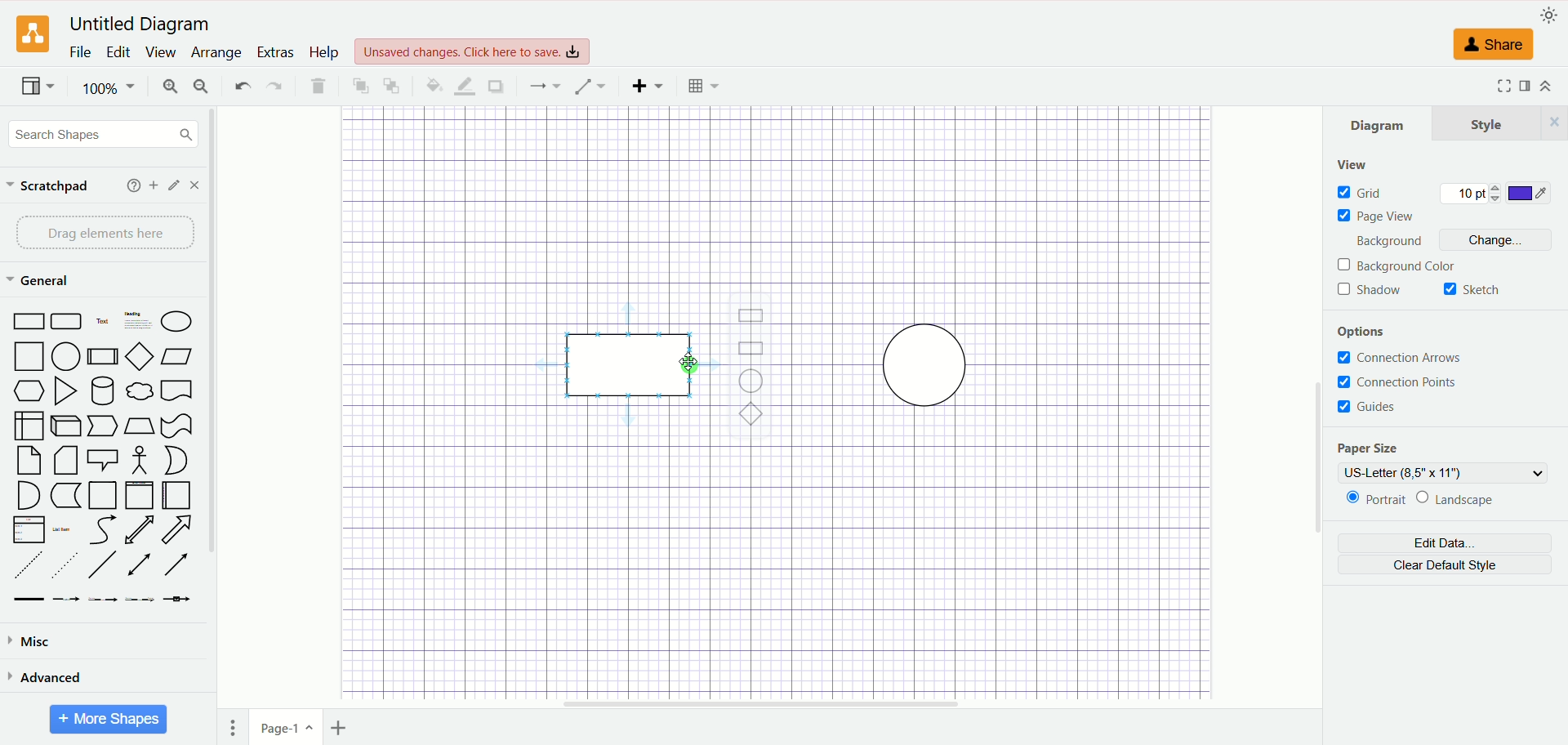 This screenshot has height=745, width=1568. I want to click on Page, so click(29, 460).